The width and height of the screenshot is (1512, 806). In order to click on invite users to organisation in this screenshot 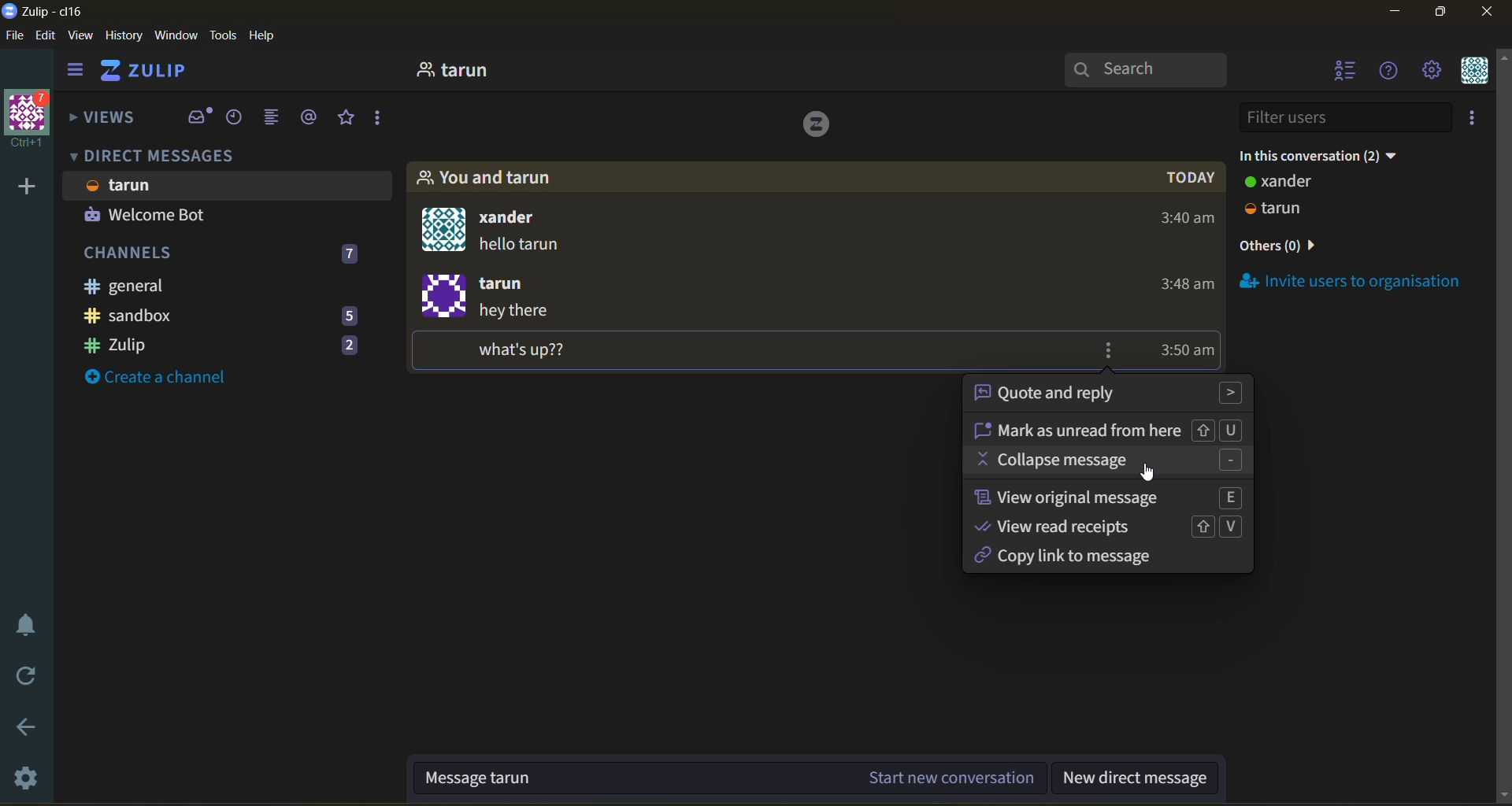, I will do `click(1352, 281)`.